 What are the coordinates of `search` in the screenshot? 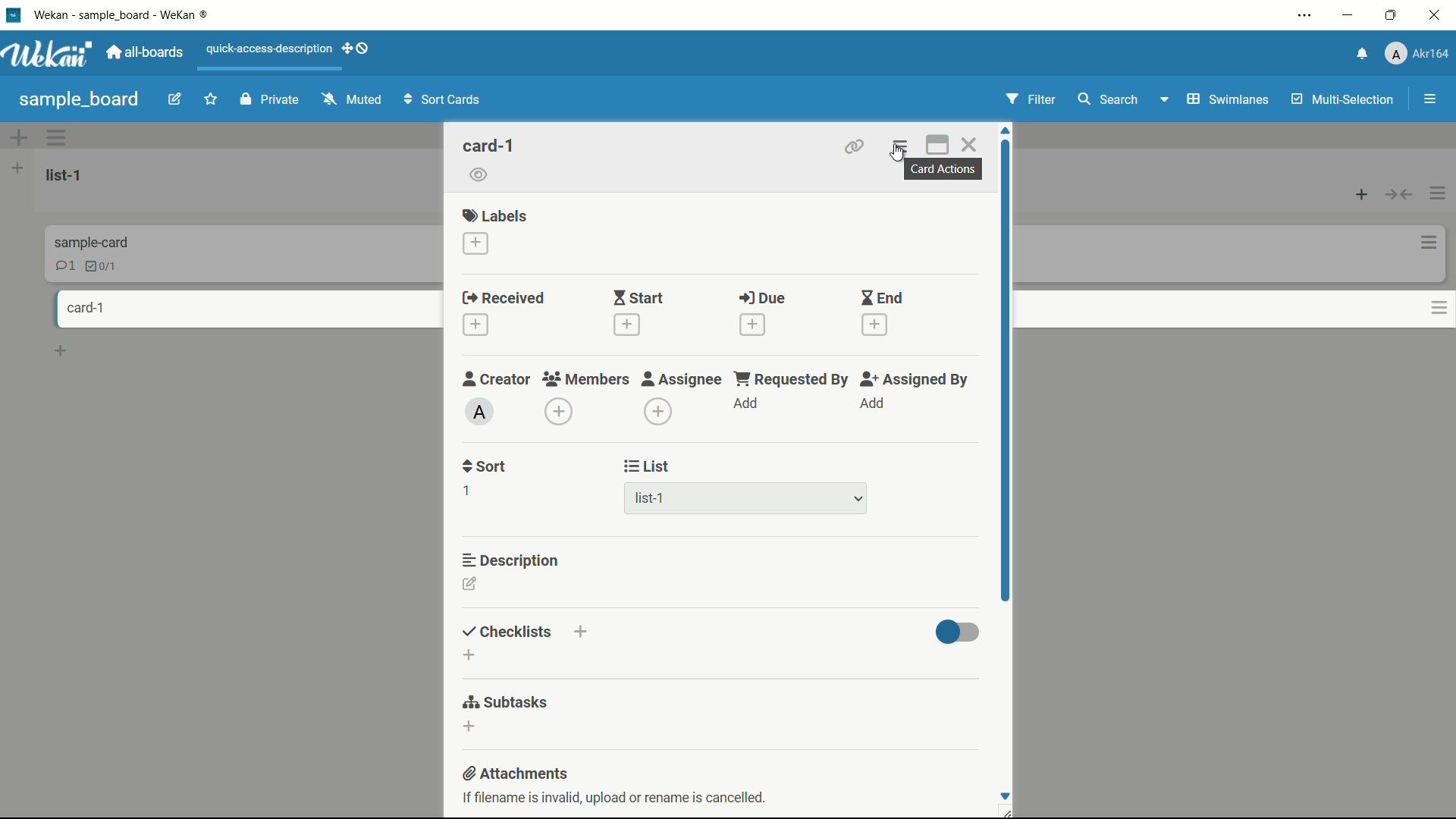 It's located at (1108, 100).